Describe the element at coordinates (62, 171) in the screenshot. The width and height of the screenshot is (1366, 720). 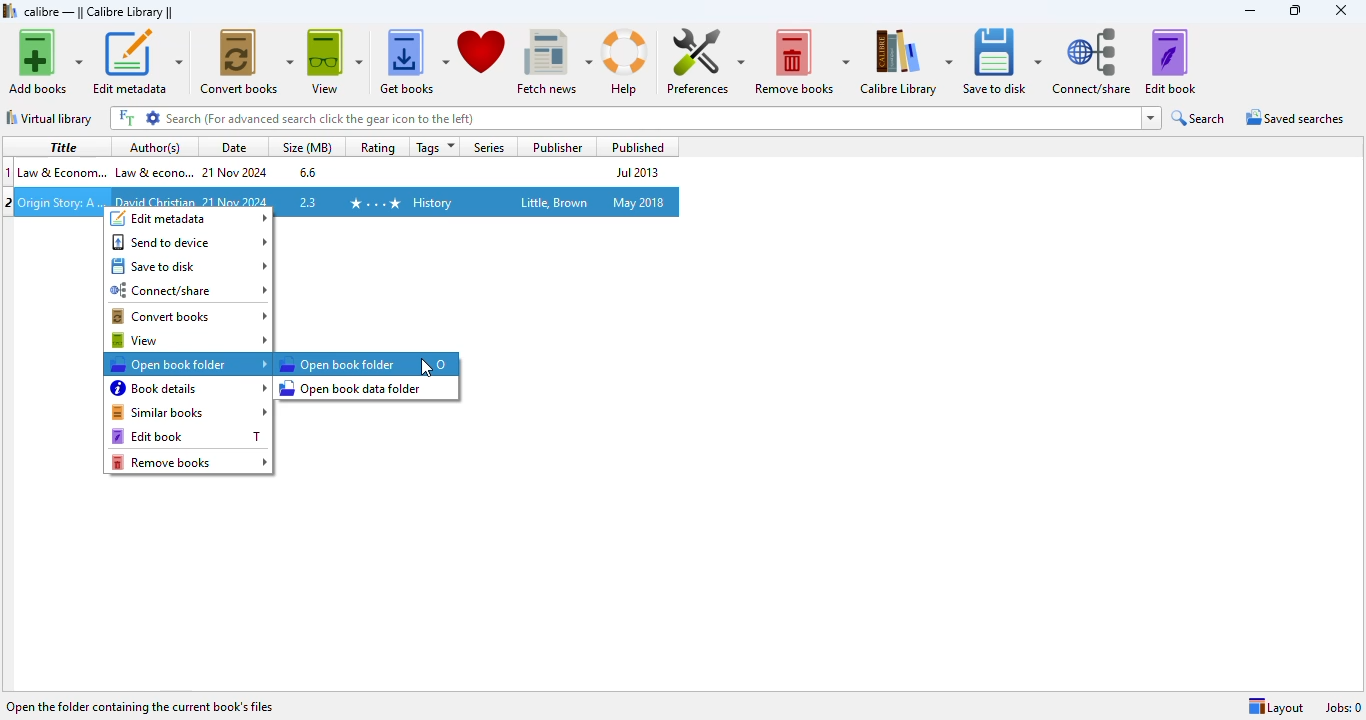
I see `law & economics` at that location.